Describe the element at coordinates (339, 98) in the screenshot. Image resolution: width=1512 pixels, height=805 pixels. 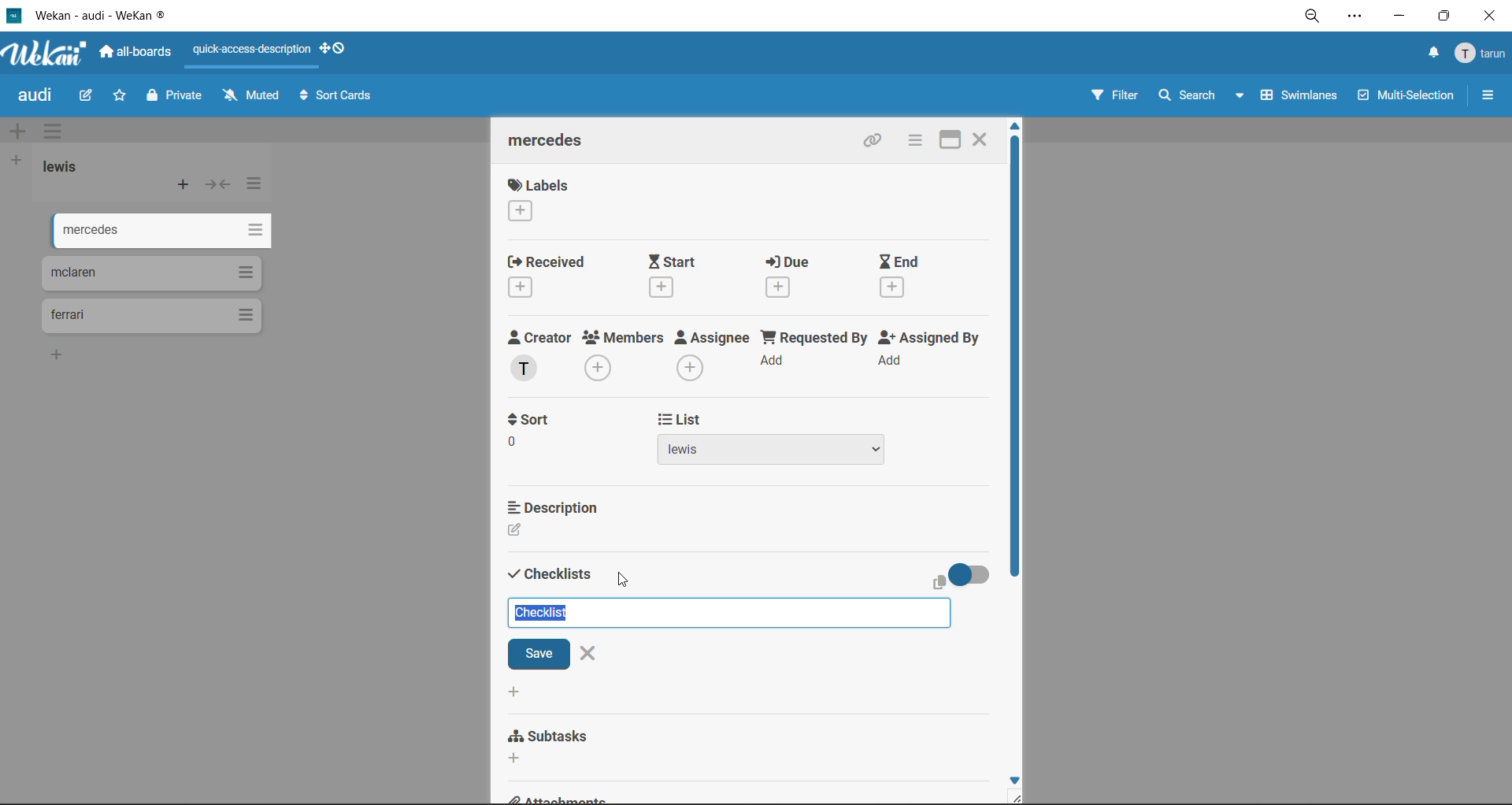
I see `sort cards` at that location.